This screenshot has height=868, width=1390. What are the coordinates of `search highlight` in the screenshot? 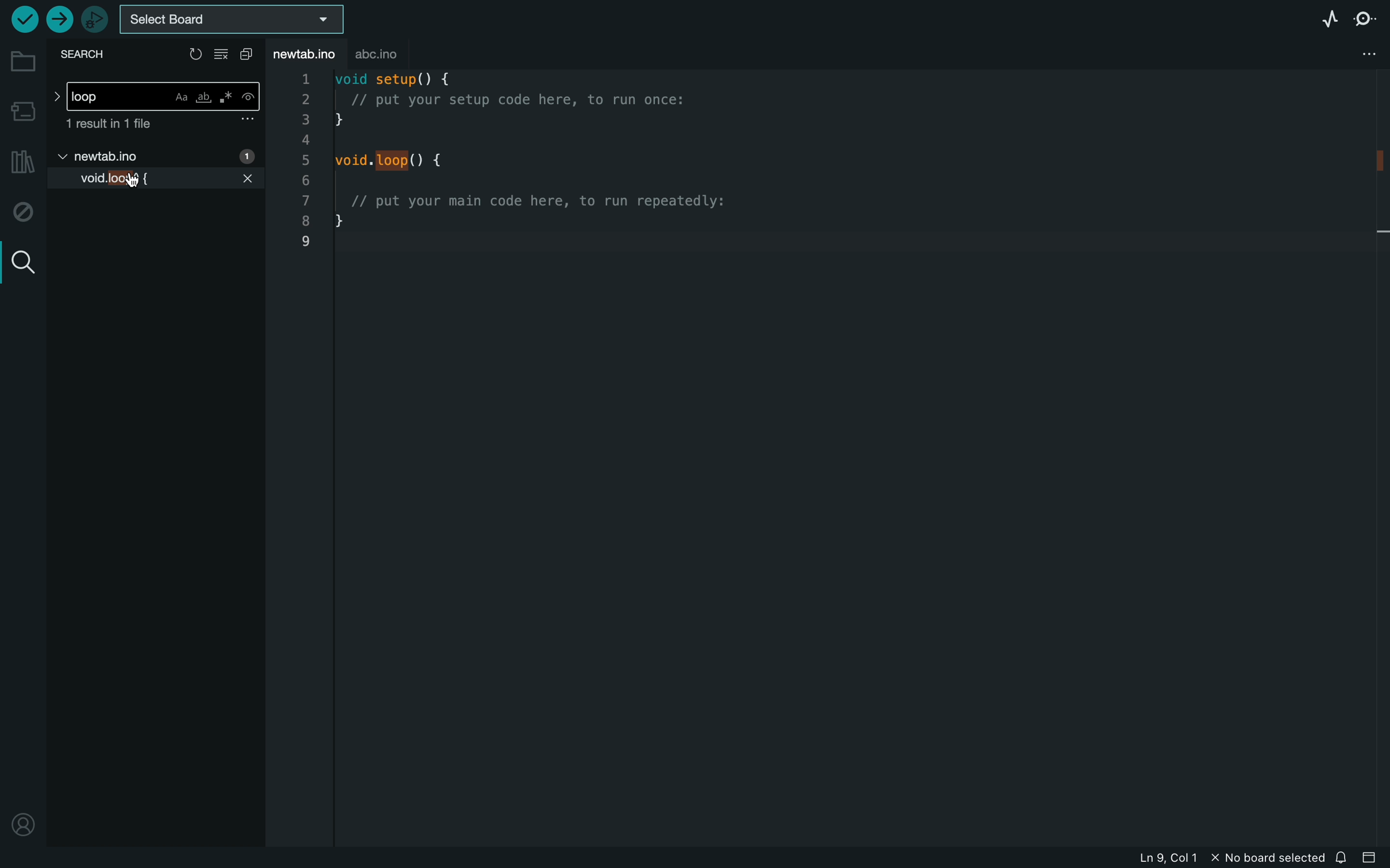 It's located at (395, 161).